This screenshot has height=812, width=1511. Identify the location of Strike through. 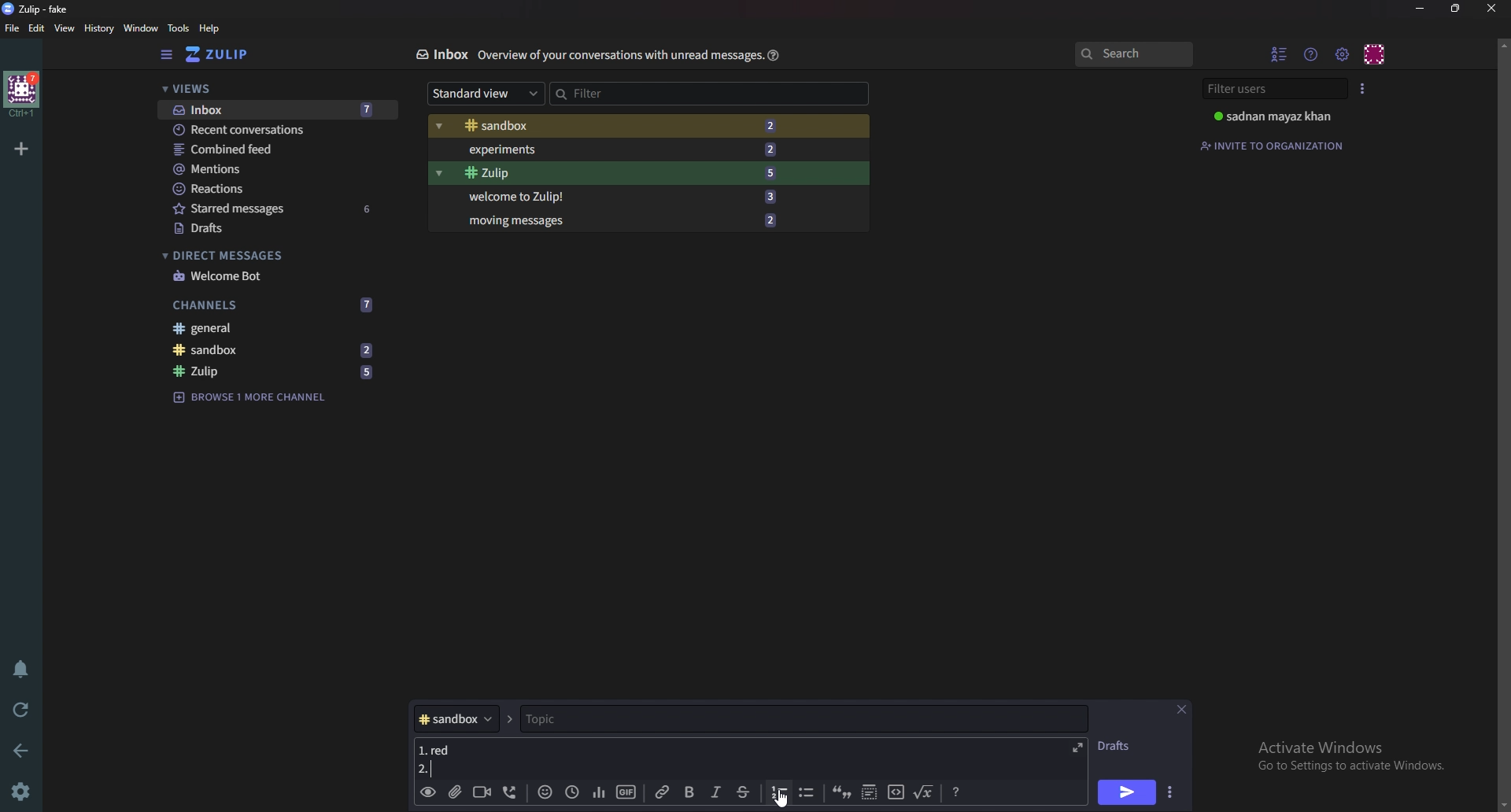
(744, 792).